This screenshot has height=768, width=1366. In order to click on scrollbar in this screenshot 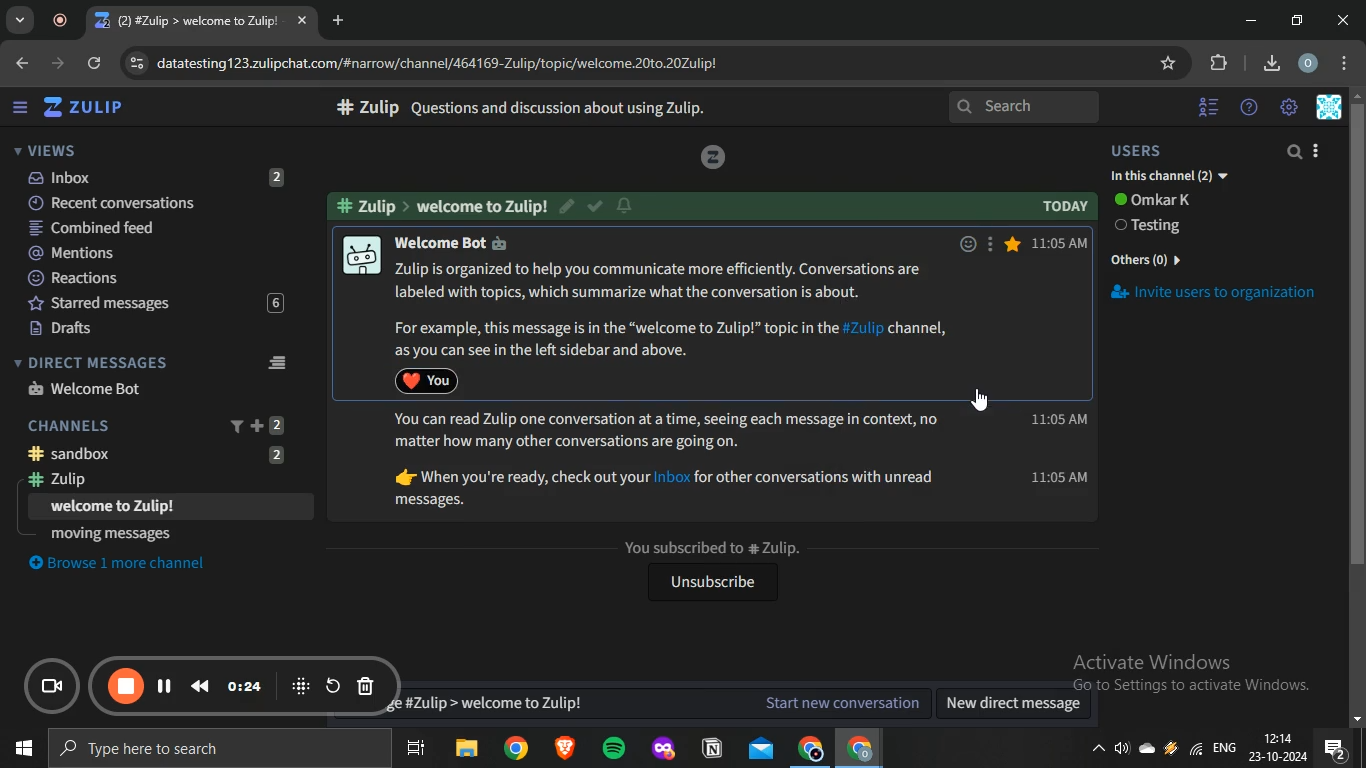, I will do `click(1357, 411)`.